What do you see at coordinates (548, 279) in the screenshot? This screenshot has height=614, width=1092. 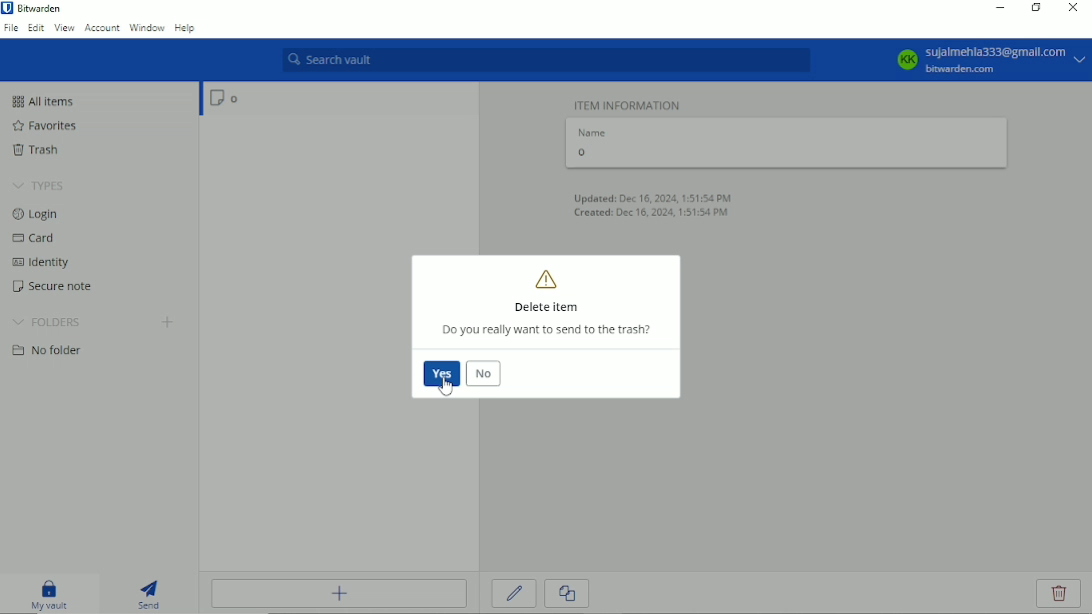 I see `warning icon` at bounding box center [548, 279].